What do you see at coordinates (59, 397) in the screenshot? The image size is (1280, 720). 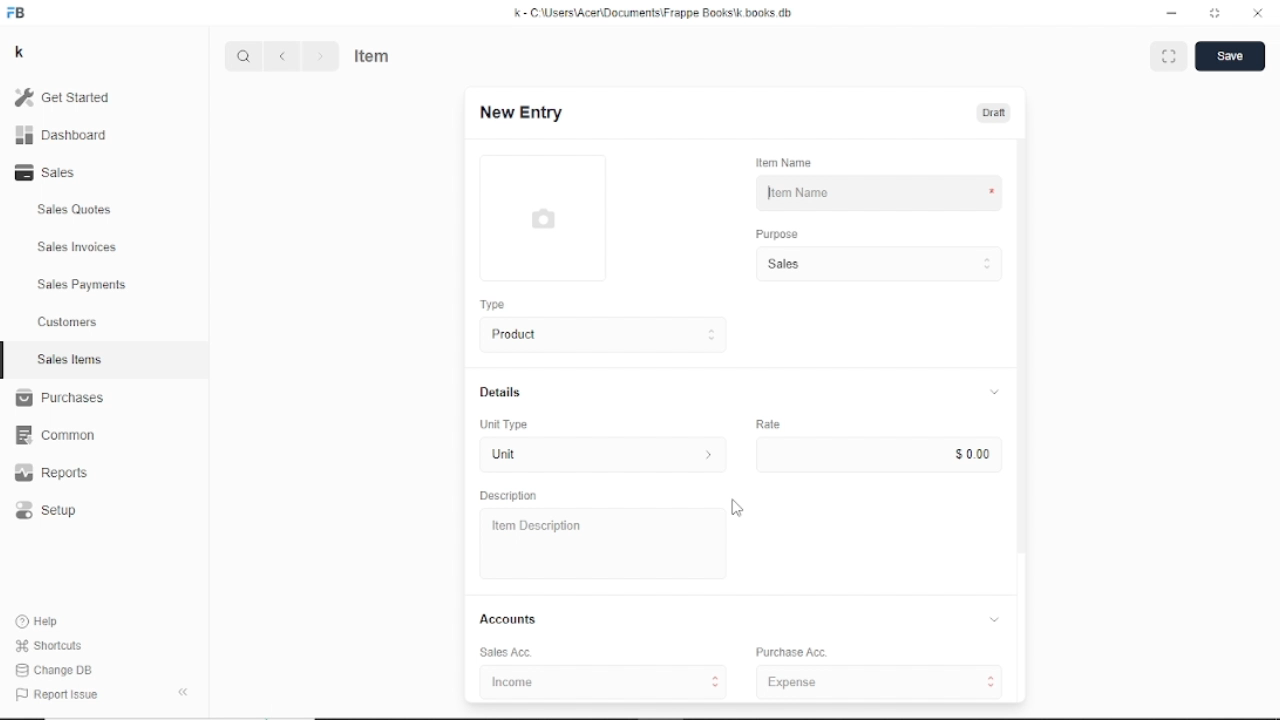 I see `Purchases` at bounding box center [59, 397].